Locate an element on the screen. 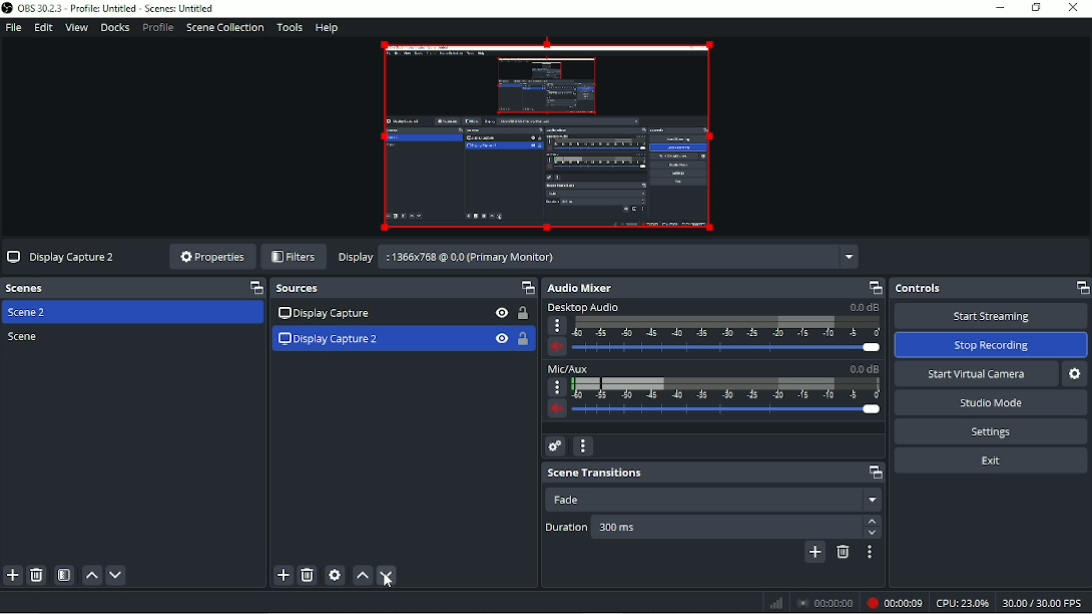 This screenshot has height=614, width=1092. Minimize is located at coordinates (1000, 7).